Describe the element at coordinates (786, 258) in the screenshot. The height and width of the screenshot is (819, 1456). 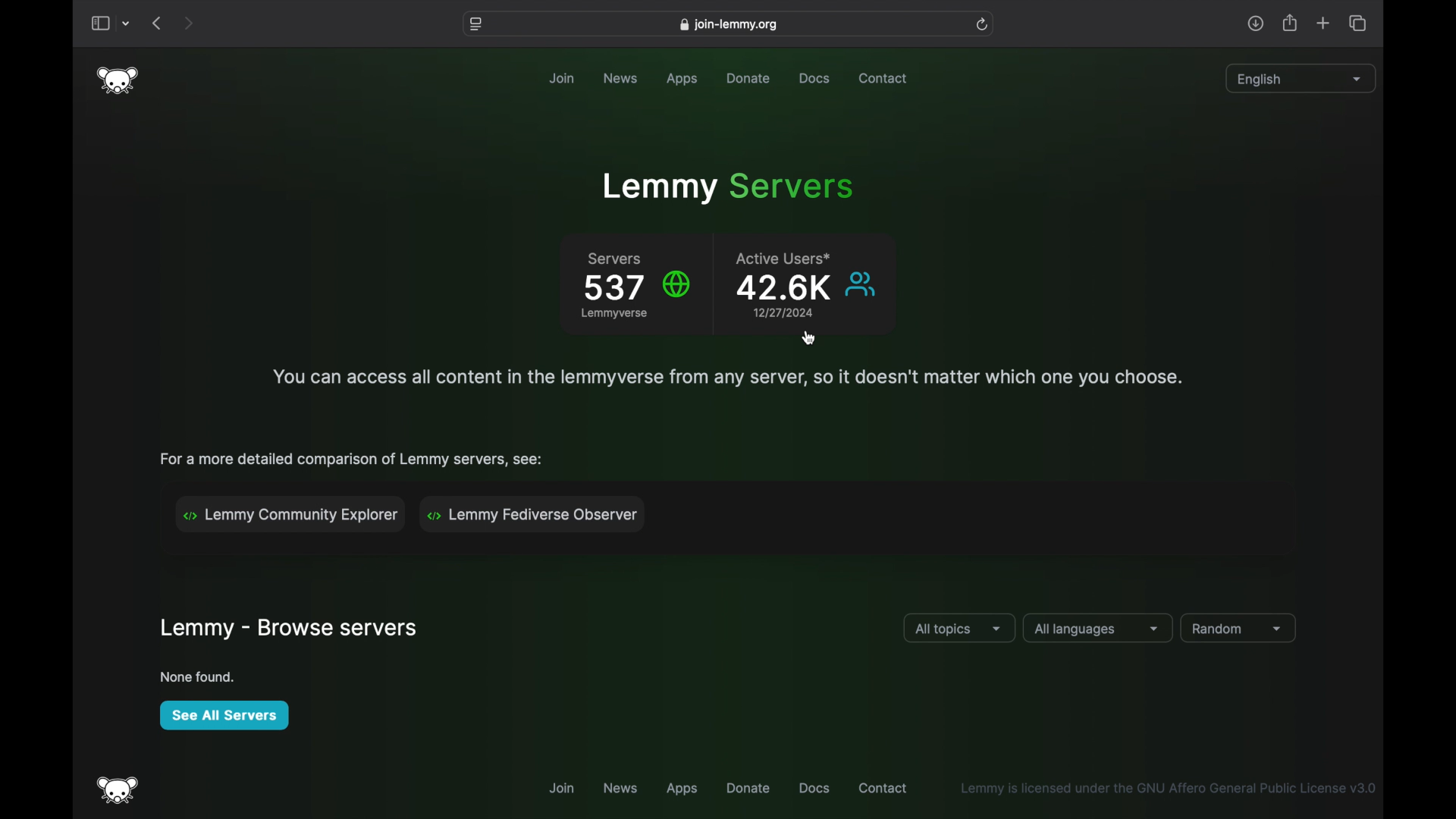
I see `active users` at that location.